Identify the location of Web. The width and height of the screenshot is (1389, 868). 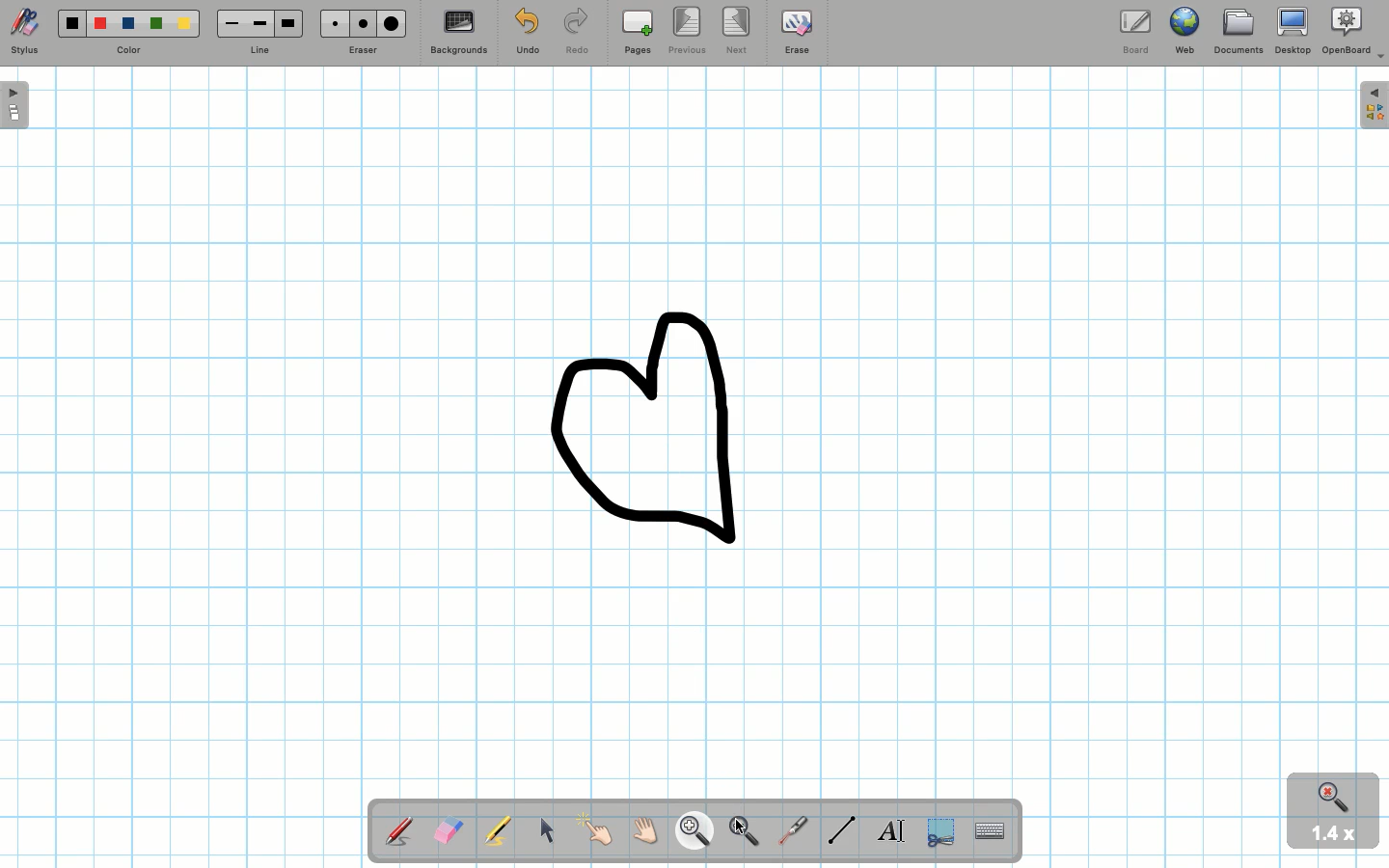
(1187, 30).